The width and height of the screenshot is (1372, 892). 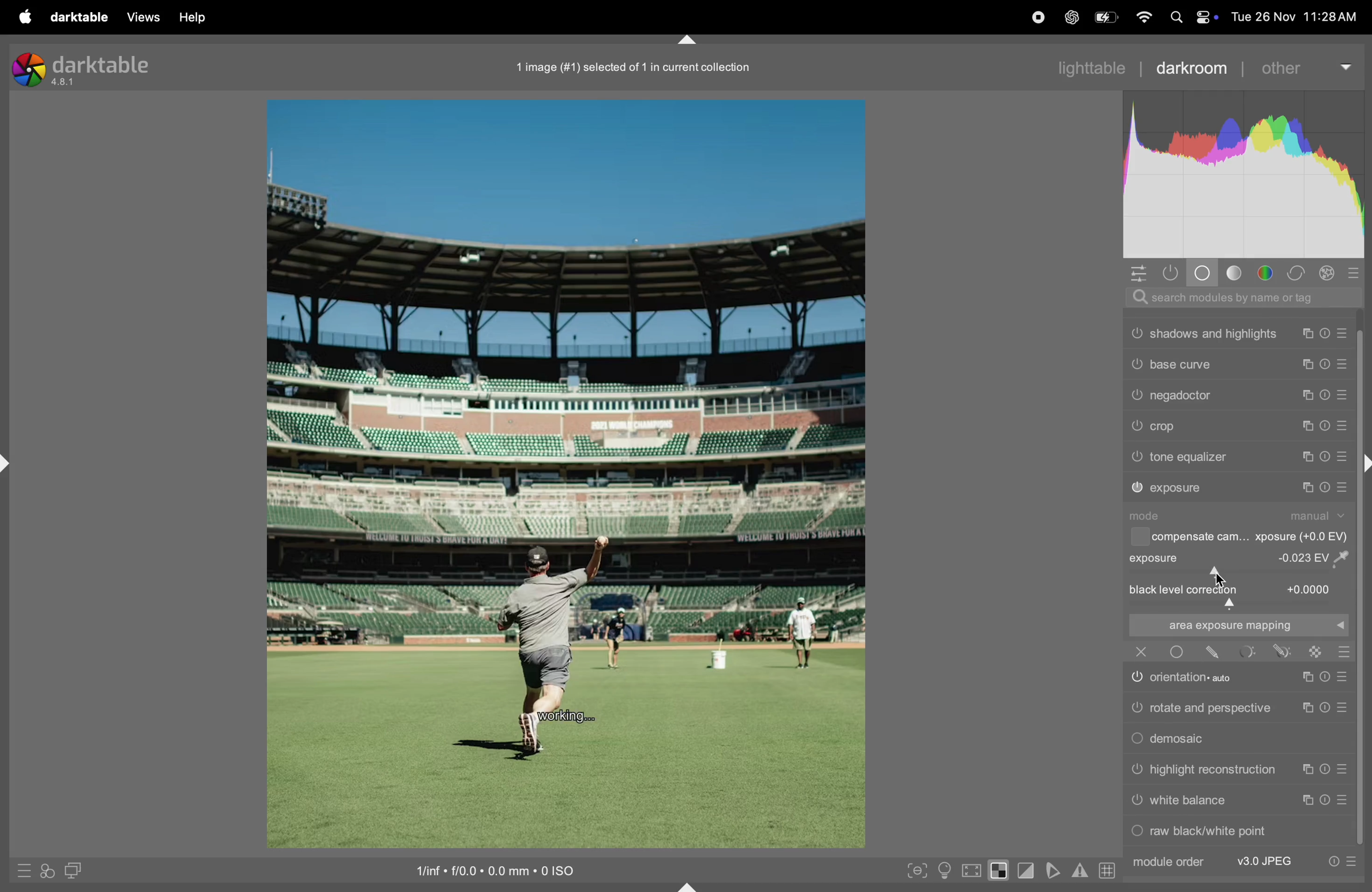 What do you see at coordinates (1136, 770) in the screenshot?
I see `Switch on or off` at bounding box center [1136, 770].